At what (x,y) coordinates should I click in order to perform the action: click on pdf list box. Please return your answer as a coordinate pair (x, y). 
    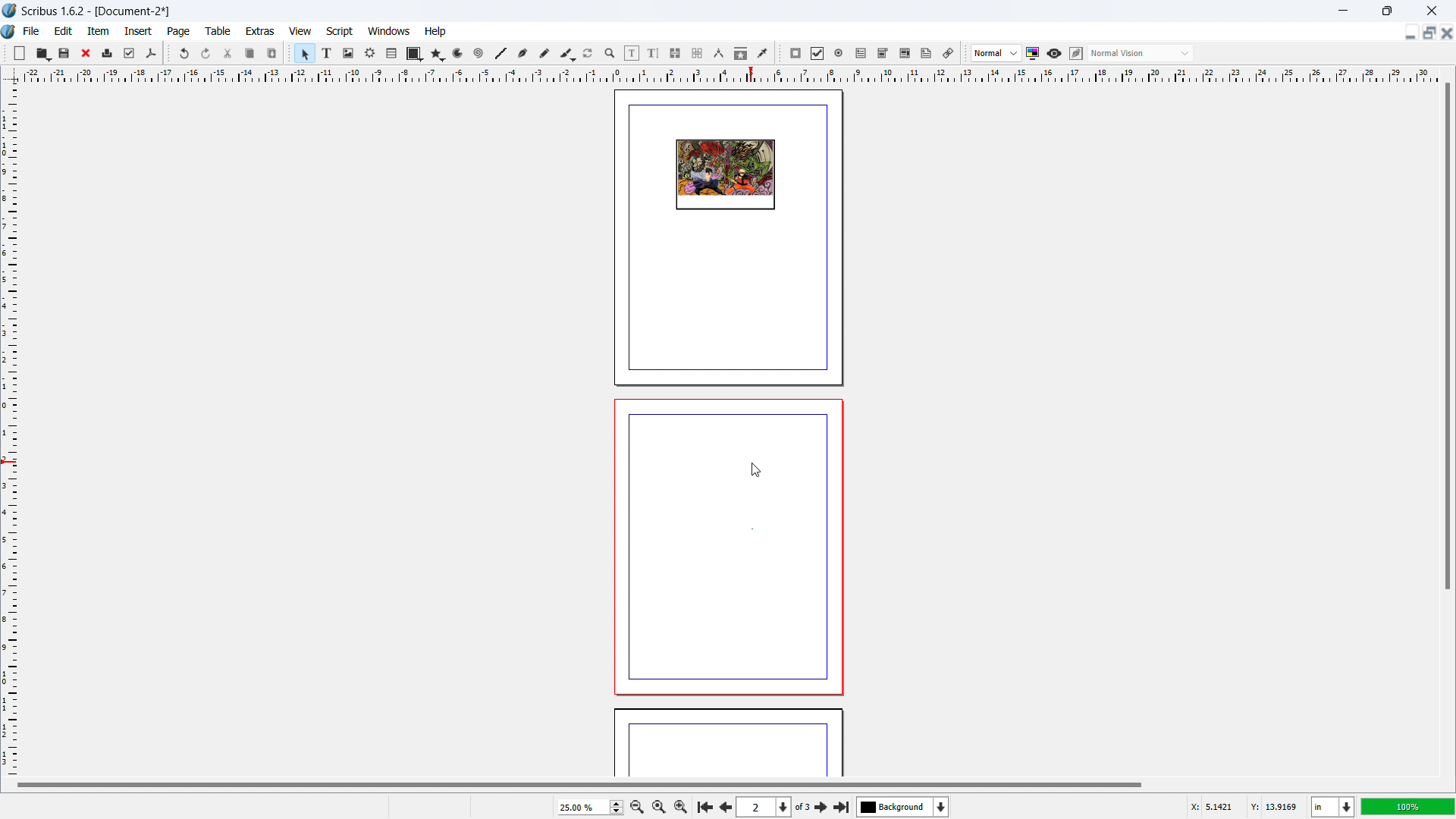
    Looking at the image, I should click on (905, 54).